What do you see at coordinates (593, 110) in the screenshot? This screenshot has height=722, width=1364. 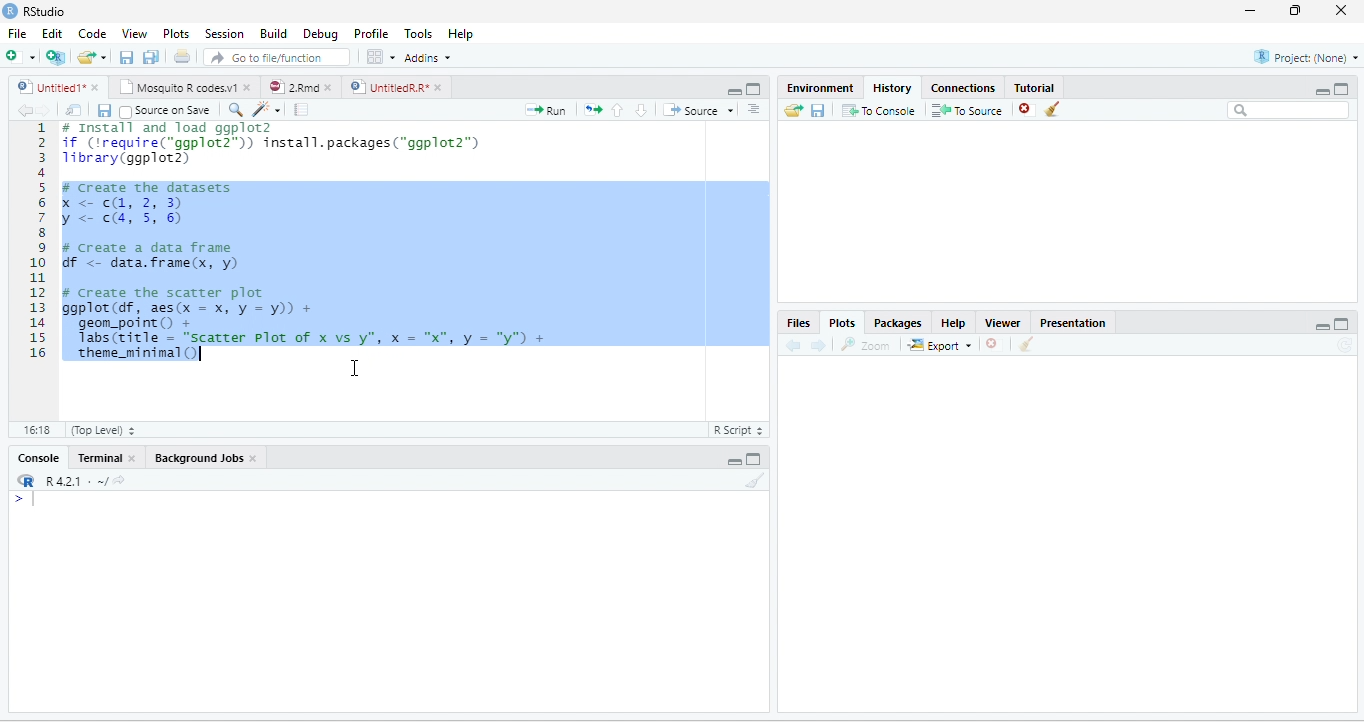 I see `Re-run the previous code region` at bounding box center [593, 110].